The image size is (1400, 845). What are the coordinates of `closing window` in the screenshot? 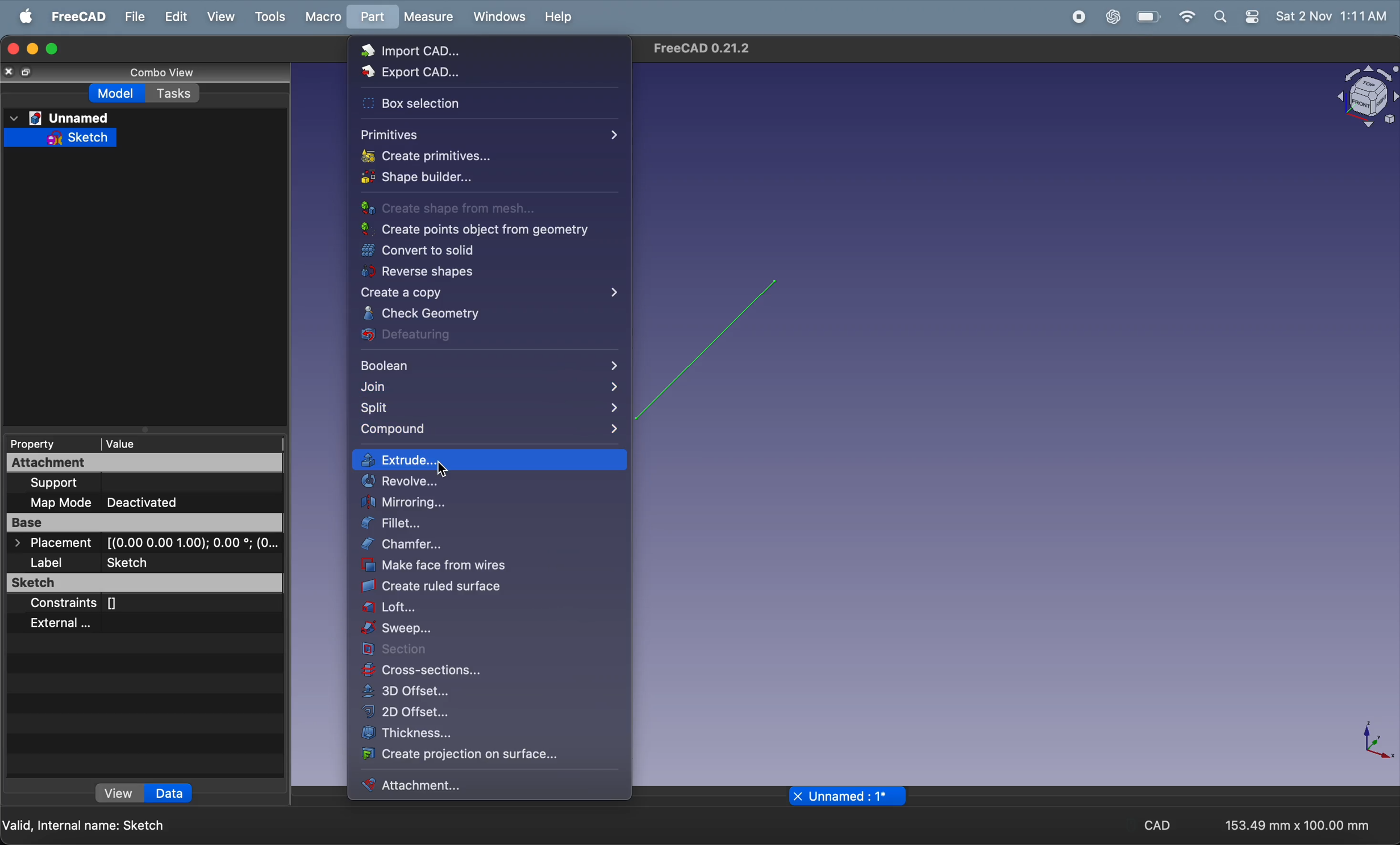 It's located at (12, 49).